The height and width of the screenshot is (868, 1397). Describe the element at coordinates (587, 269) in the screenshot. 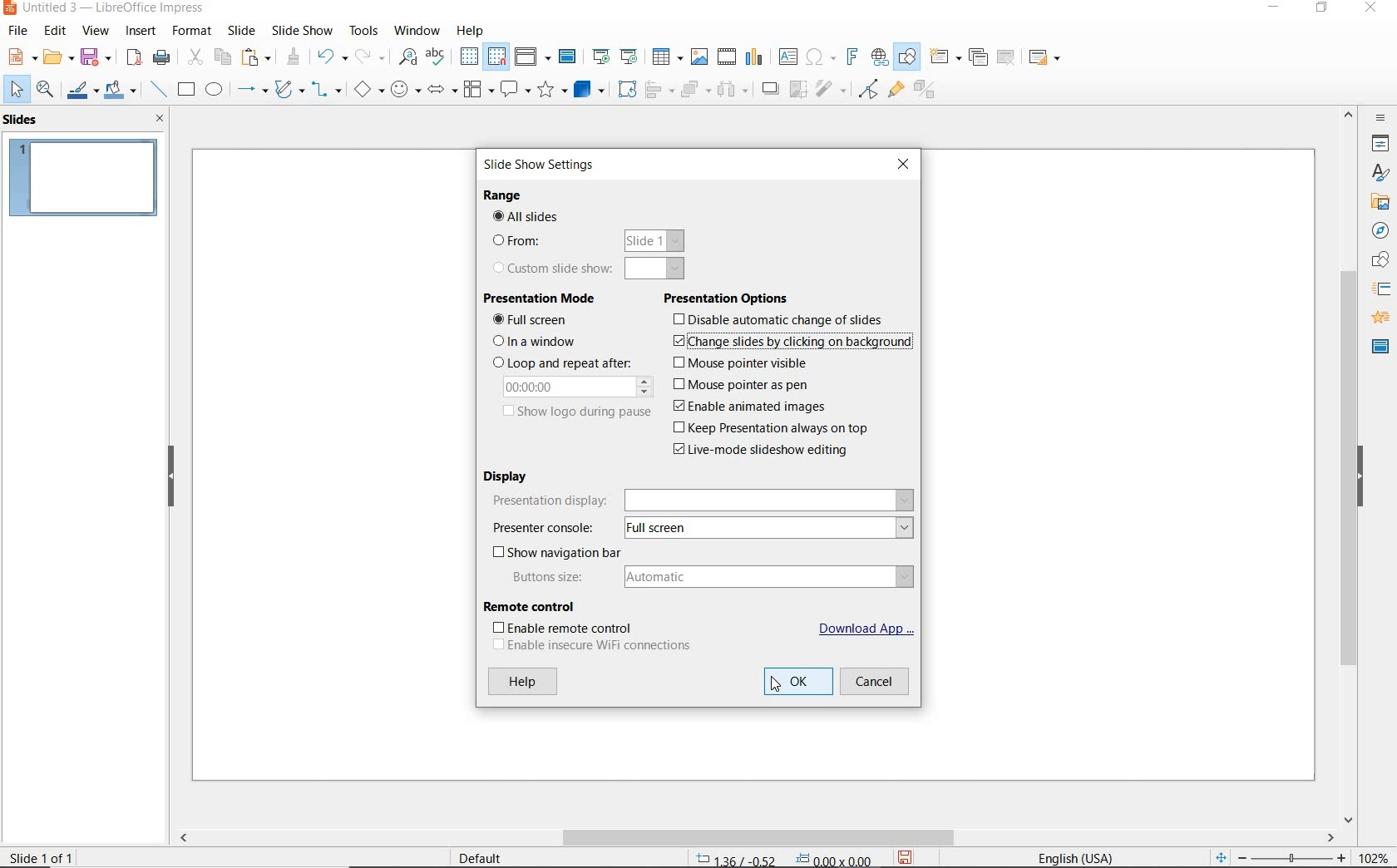

I see `CUSTOM SLIDE SHOW` at that location.